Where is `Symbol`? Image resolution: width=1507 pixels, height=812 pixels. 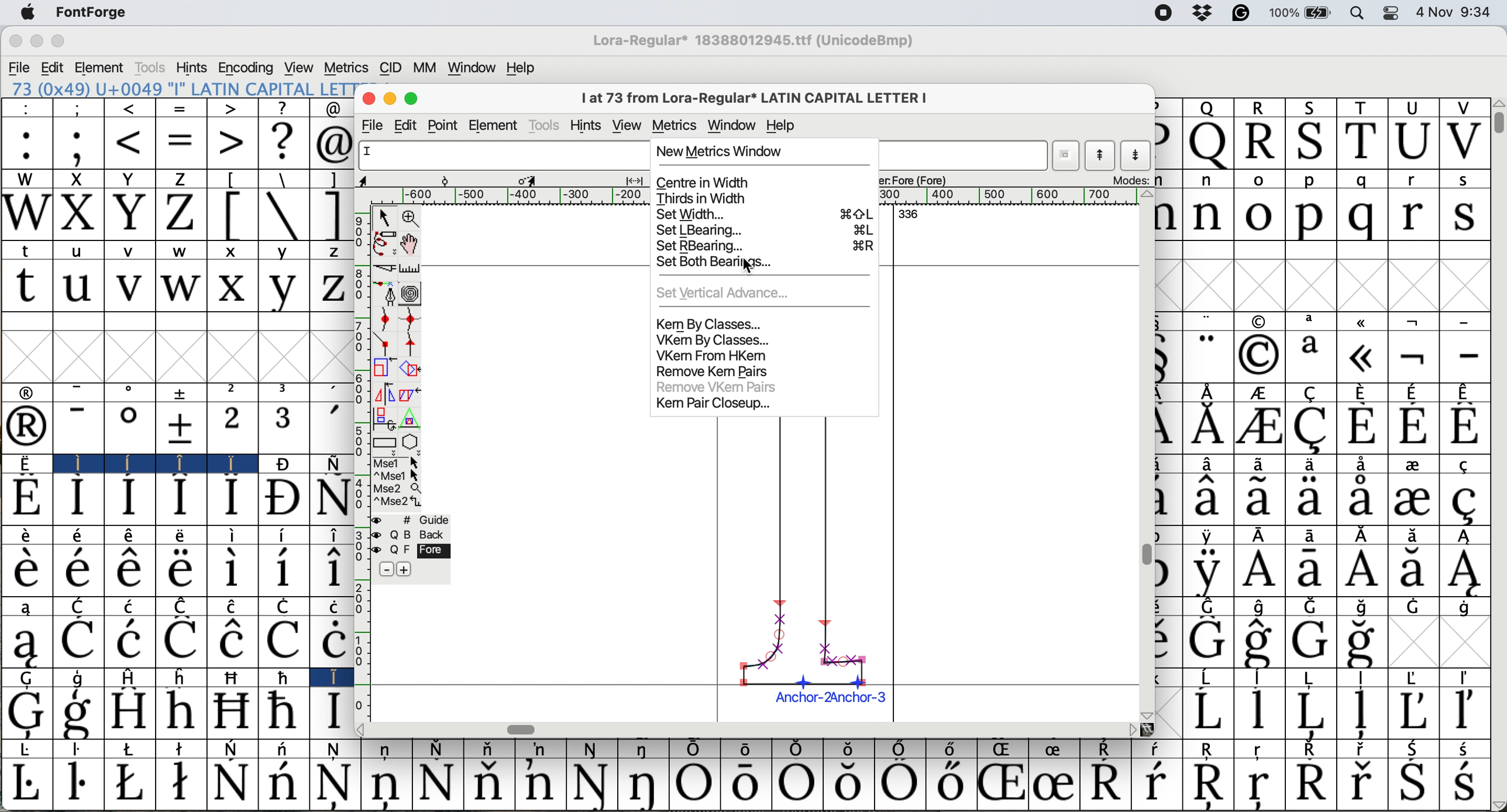 Symbol is located at coordinates (332, 712).